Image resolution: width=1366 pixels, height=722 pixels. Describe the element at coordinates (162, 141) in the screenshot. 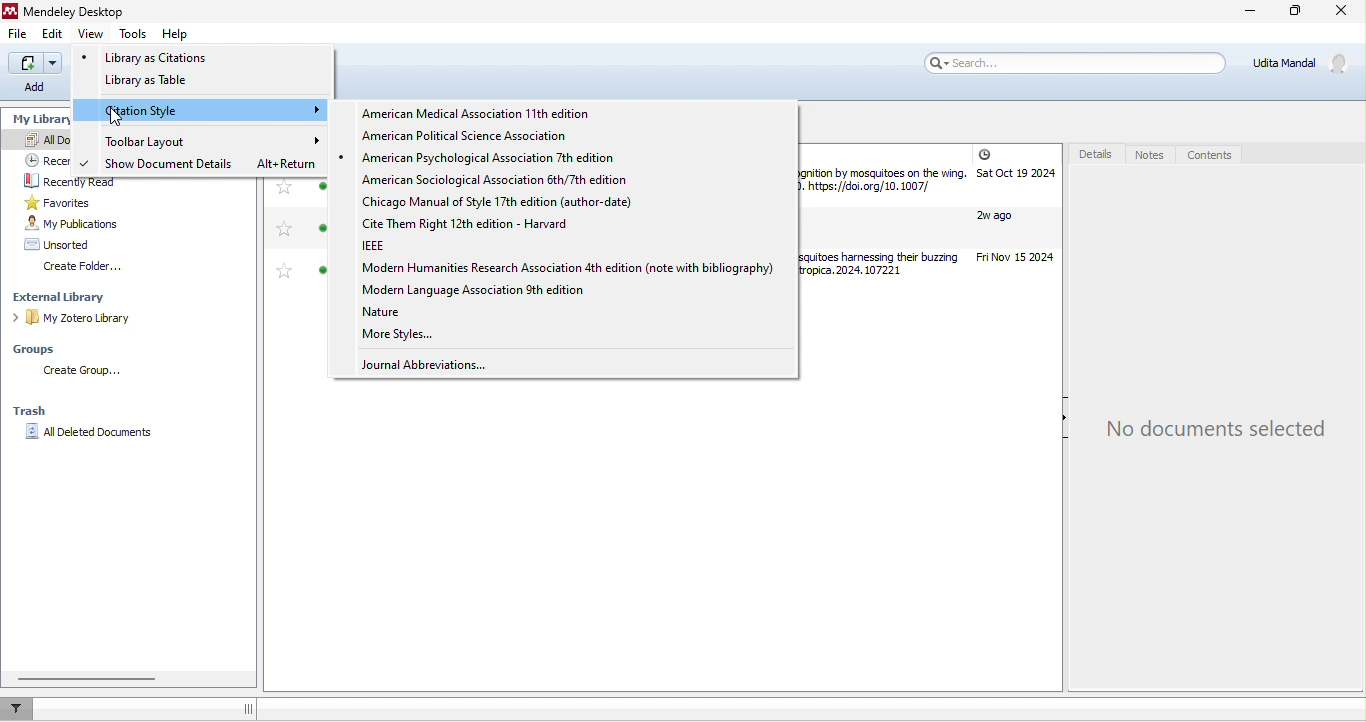

I see `Toolbar Layout` at that location.